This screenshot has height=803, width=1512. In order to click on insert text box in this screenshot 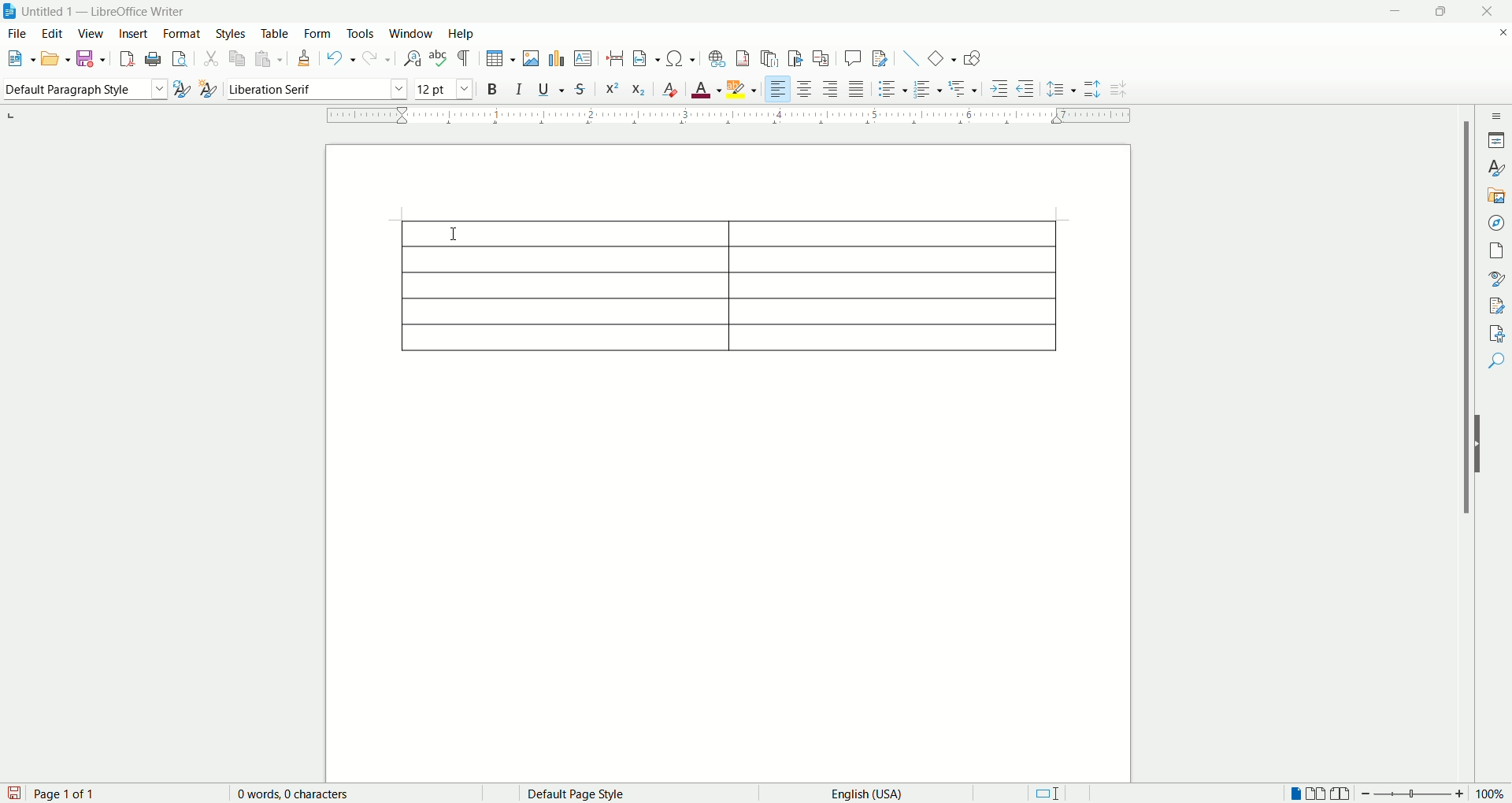, I will do `click(584, 57)`.